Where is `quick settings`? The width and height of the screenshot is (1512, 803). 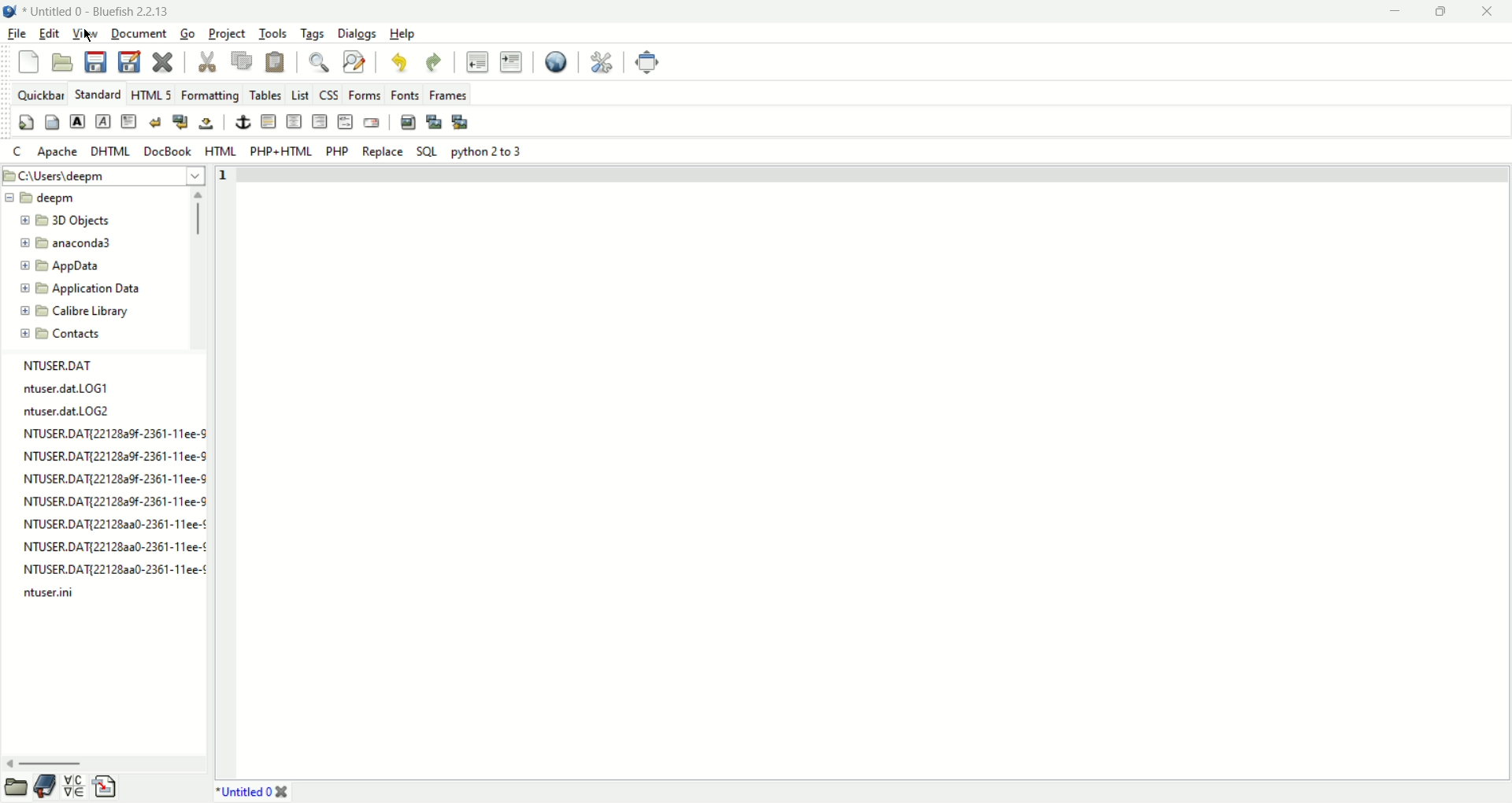
quick settings is located at coordinates (27, 124).